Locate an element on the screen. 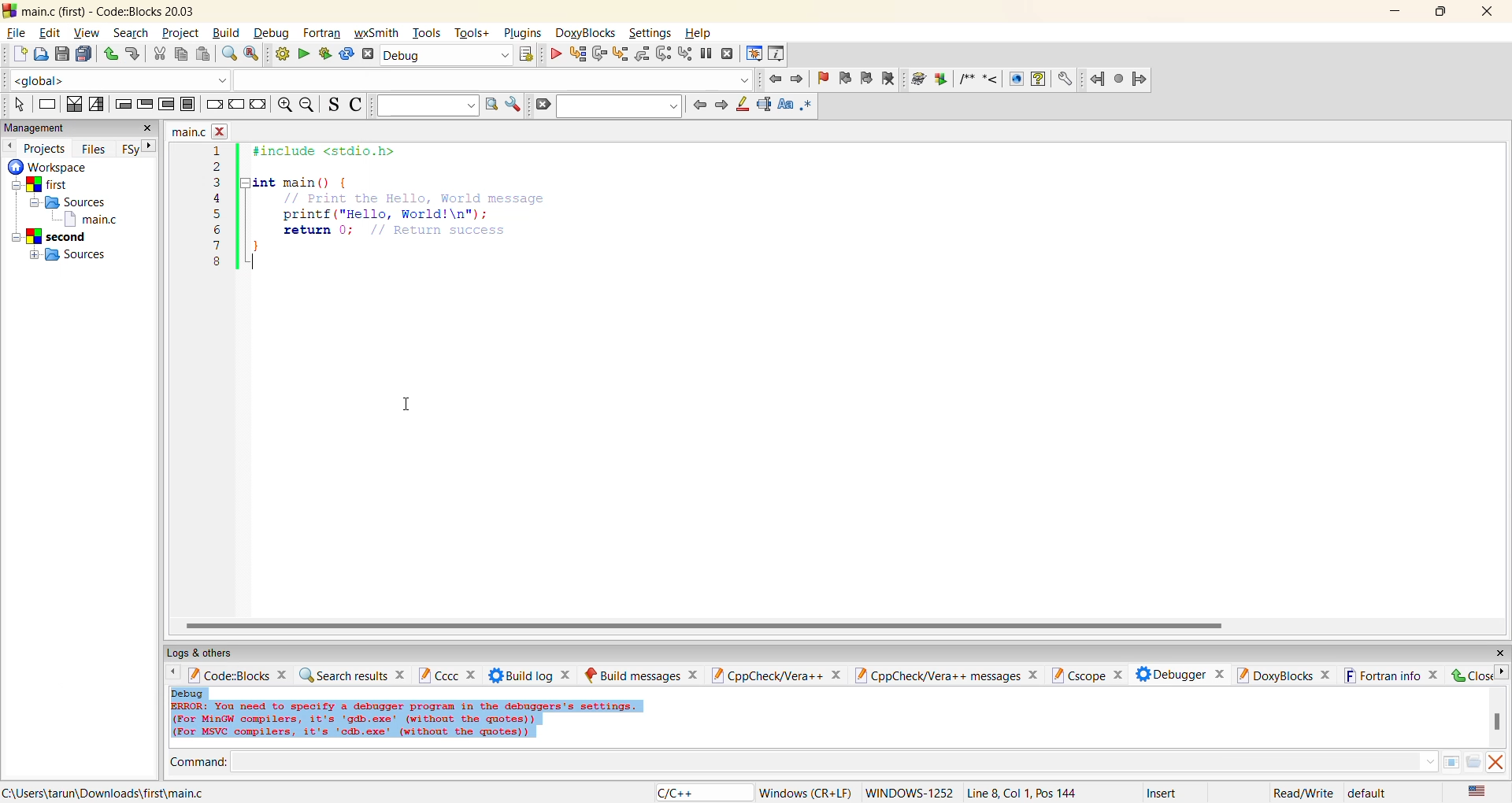  settings is located at coordinates (1065, 79).